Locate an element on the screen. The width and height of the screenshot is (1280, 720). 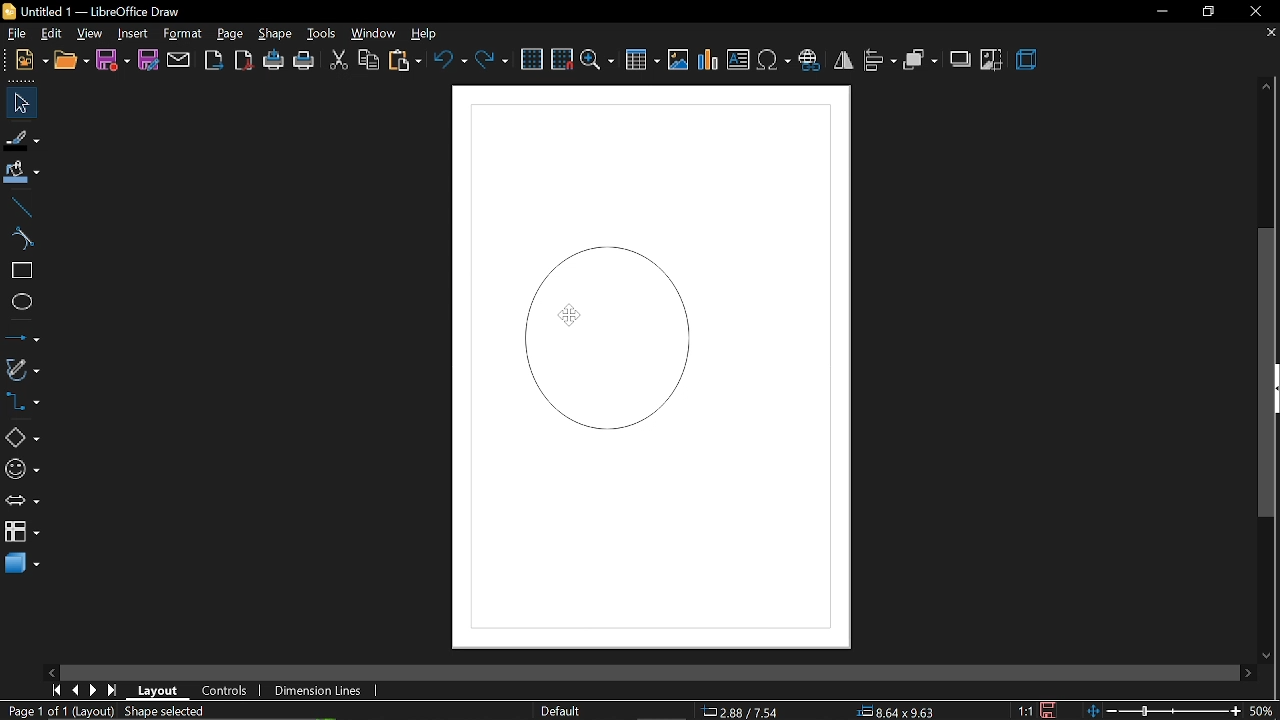
format is located at coordinates (183, 34).